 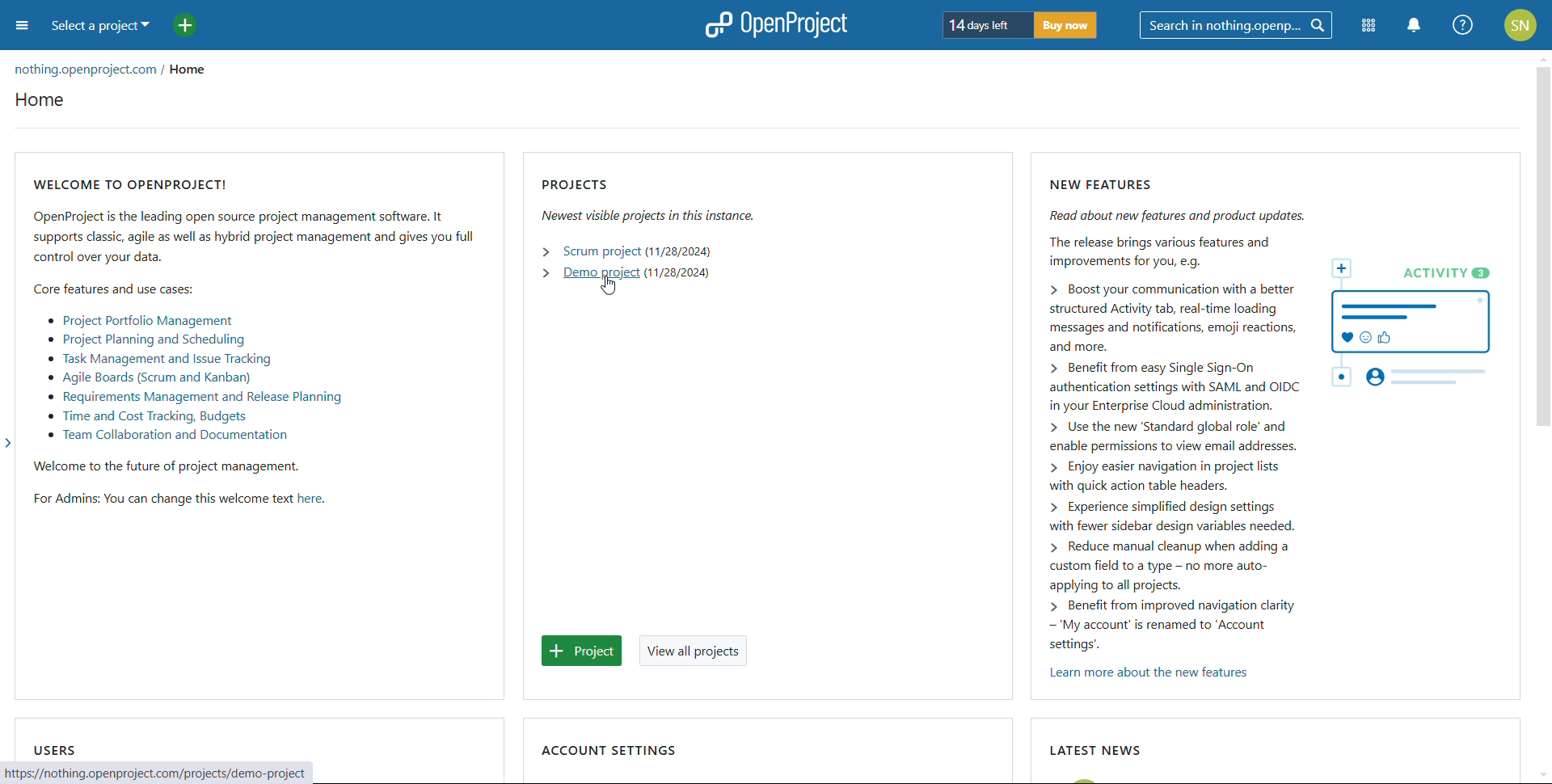 What do you see at coordinates (145, 339) in the screenshot?
I see `project planning & scheduling` at bounding box center [145, 339].